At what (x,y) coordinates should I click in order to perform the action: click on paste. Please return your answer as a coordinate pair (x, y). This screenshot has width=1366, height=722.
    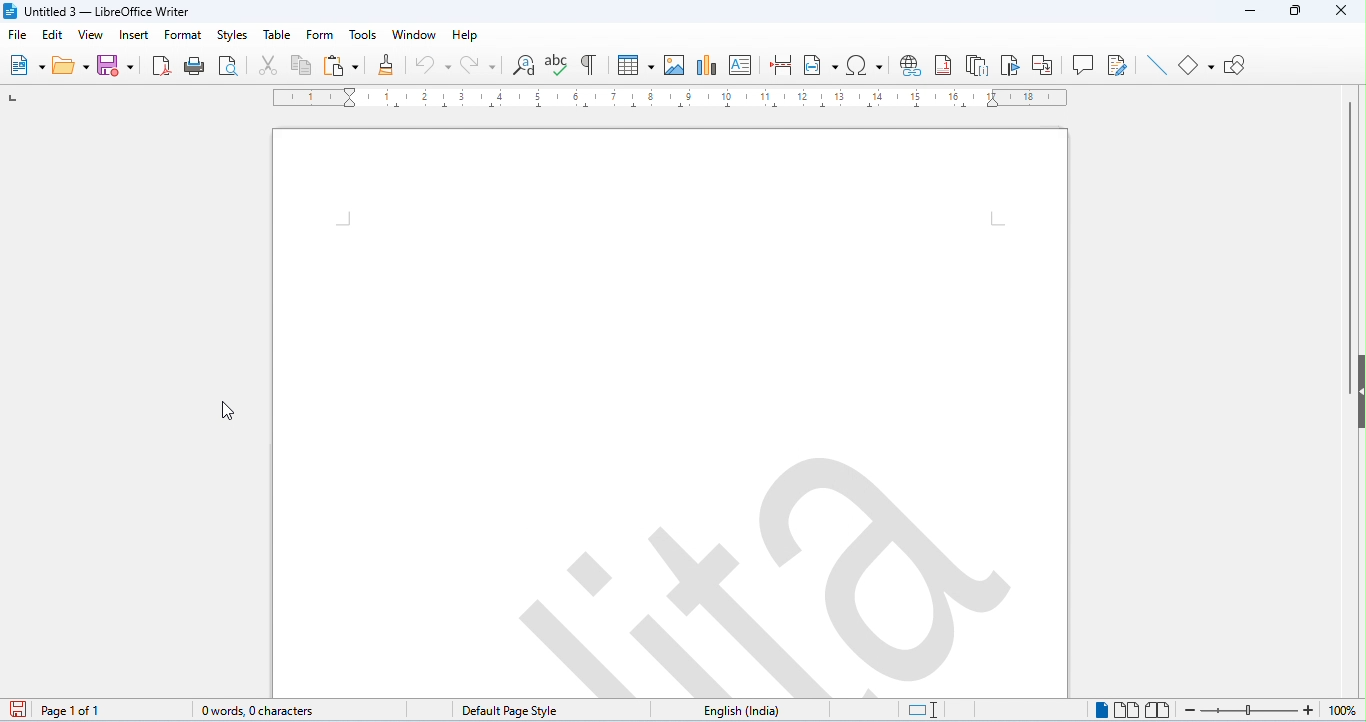
    Looking at the image, I should click on (341, 65).